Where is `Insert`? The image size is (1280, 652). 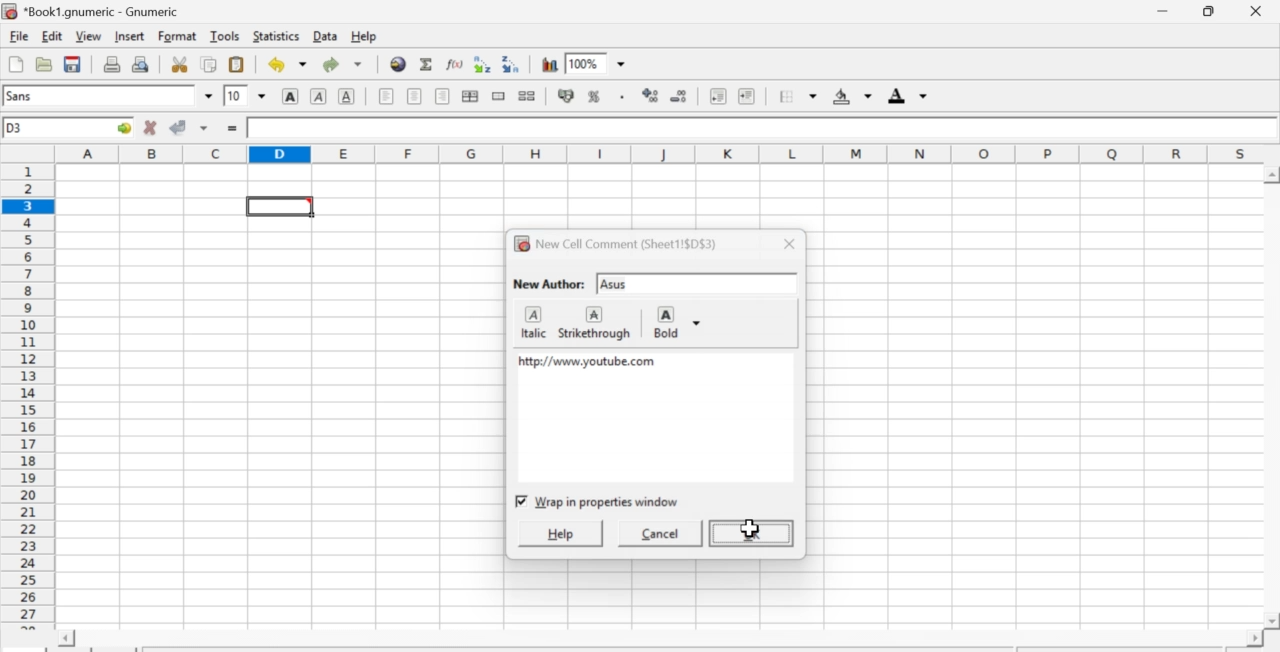 Insert is located at coordinates (130, 35).